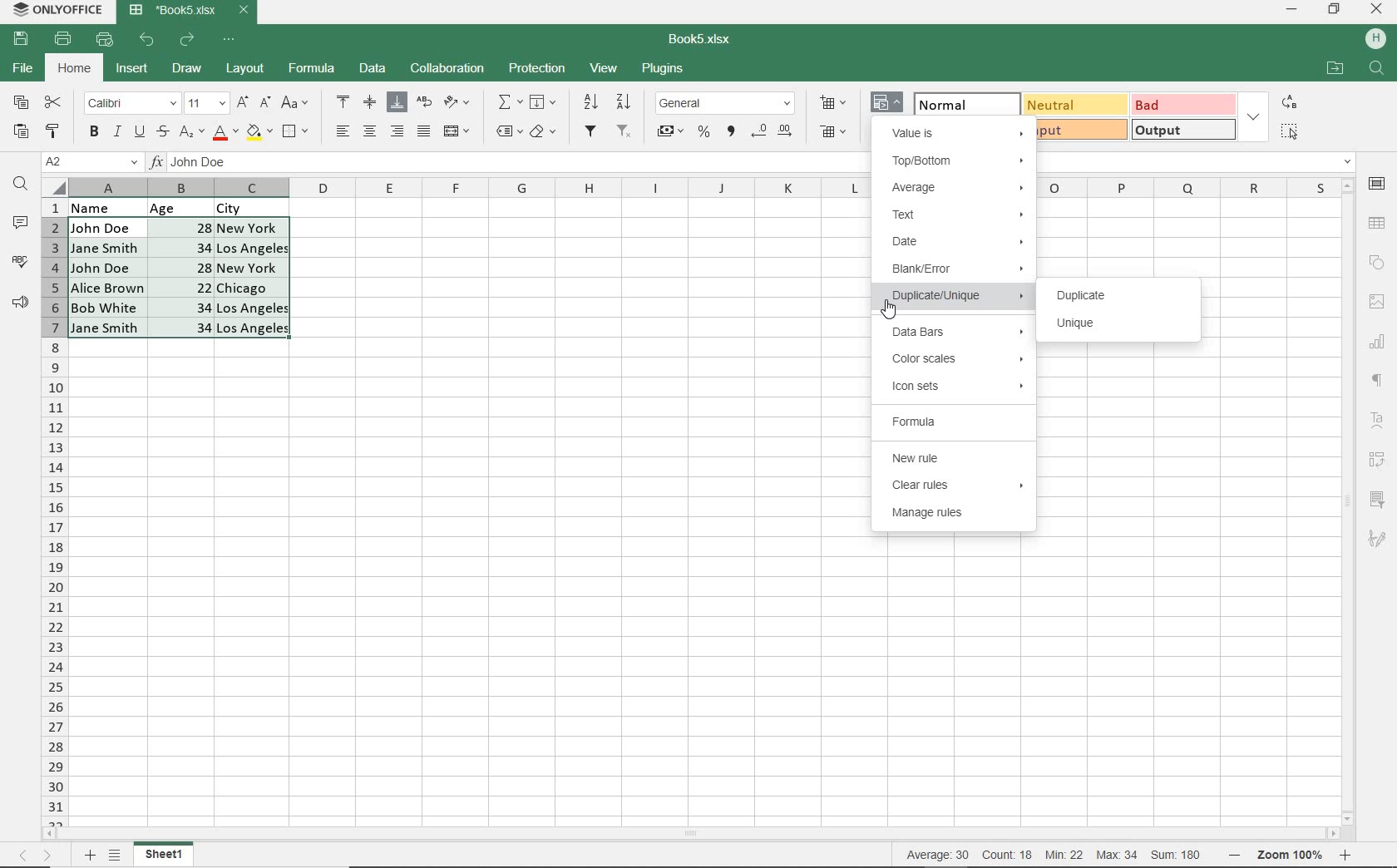 This screenshot has height=868, width=1397. Describe the element at coordinates (959, 215) in the screenshot. I see `TEXT` at that location.